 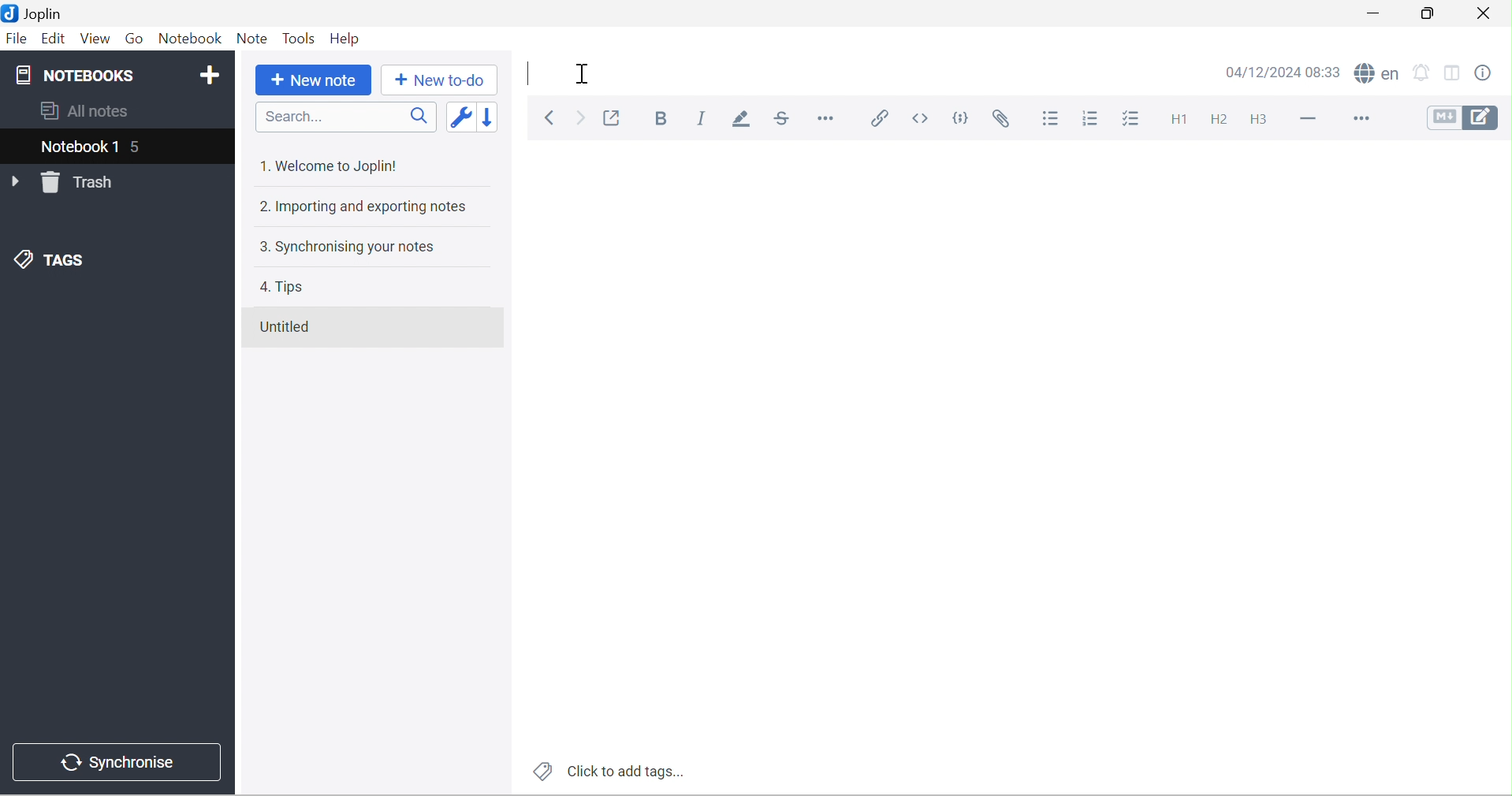 What do you see at coordinates (1489, 16) in the screenshot?
I see `Close` at bounding box center [1489, 16].